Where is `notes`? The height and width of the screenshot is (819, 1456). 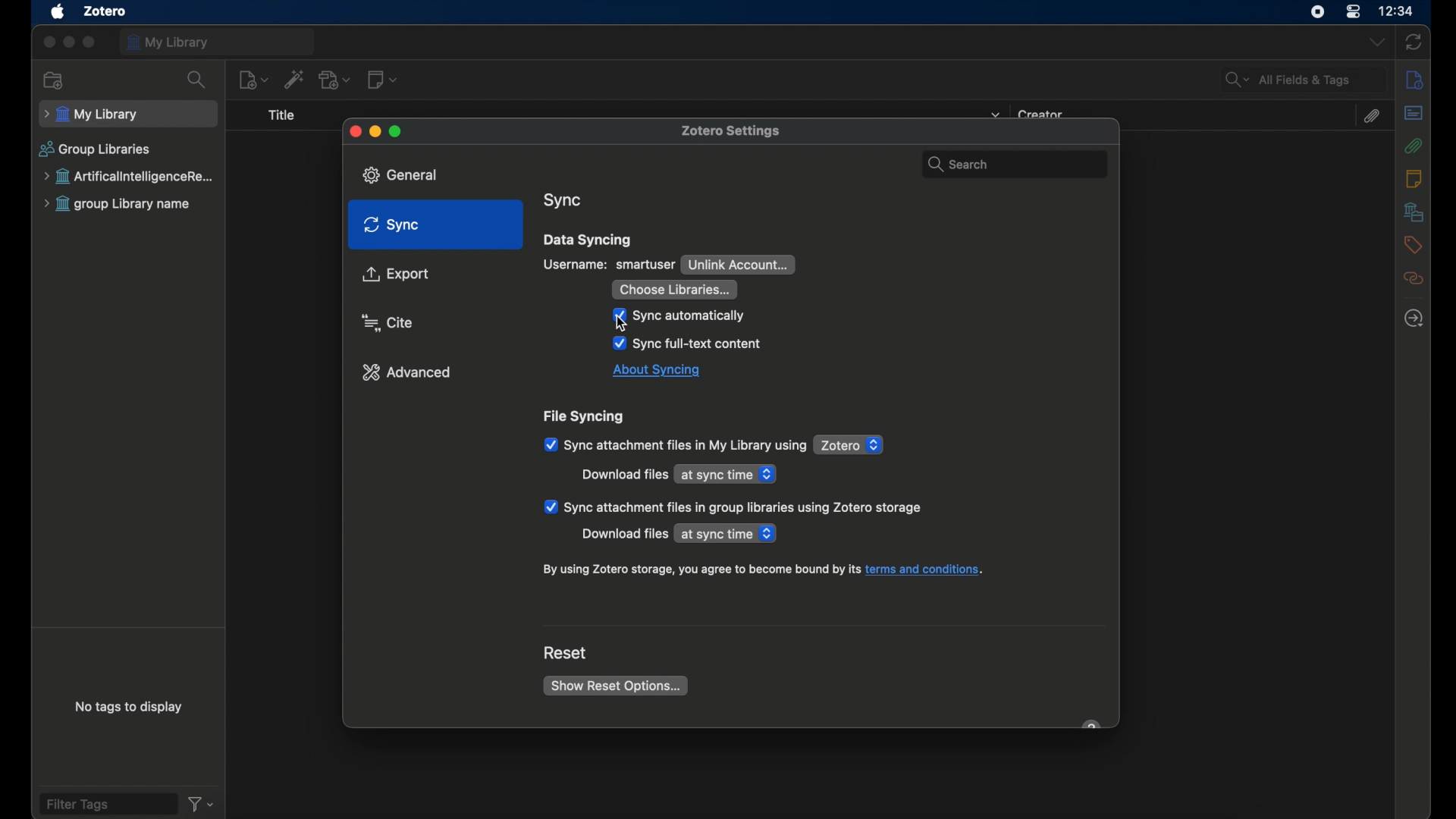 notes is located at coordinates (1415, 179).